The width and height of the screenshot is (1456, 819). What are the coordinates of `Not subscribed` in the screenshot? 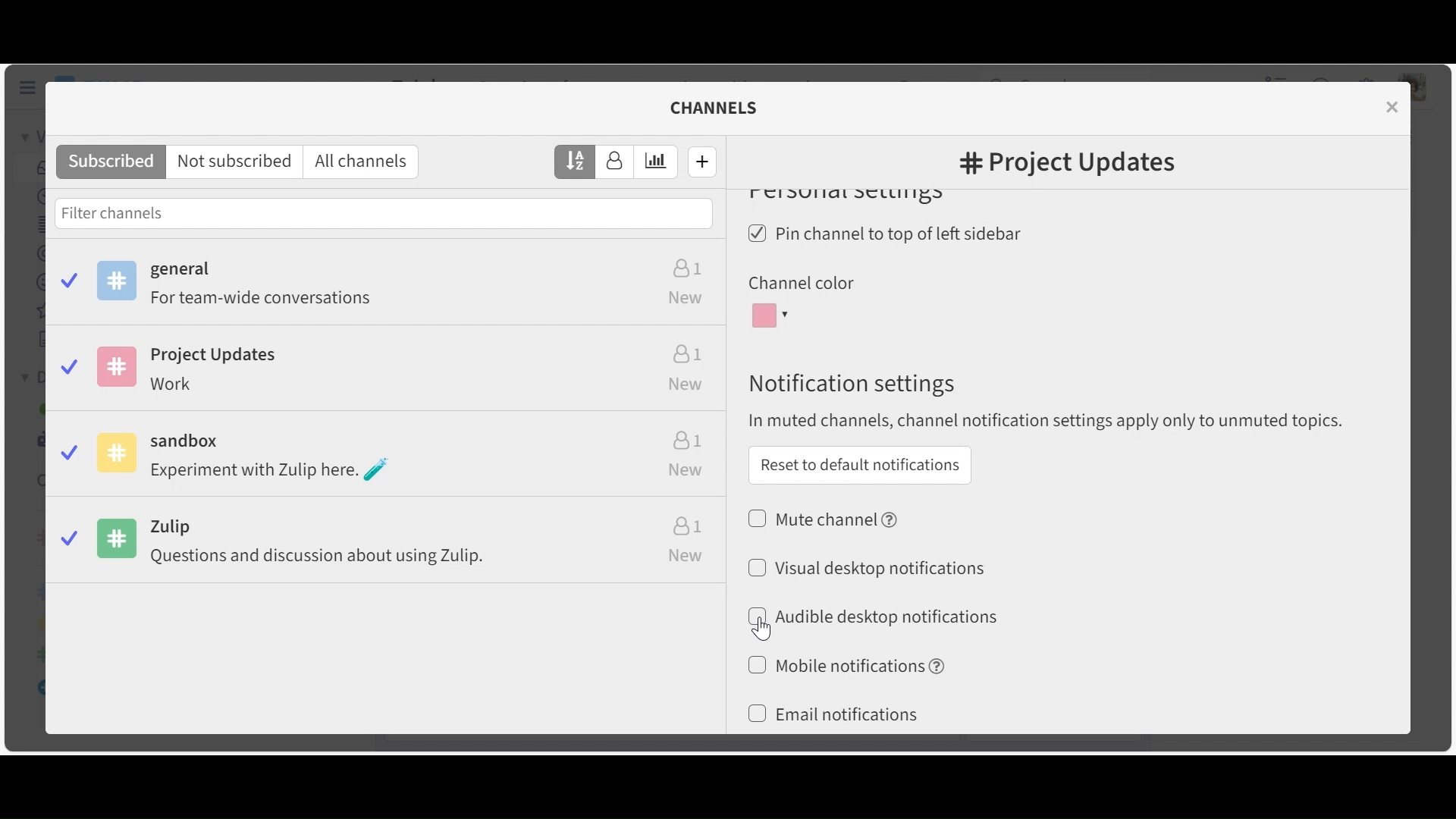 It's located at (237, 162).